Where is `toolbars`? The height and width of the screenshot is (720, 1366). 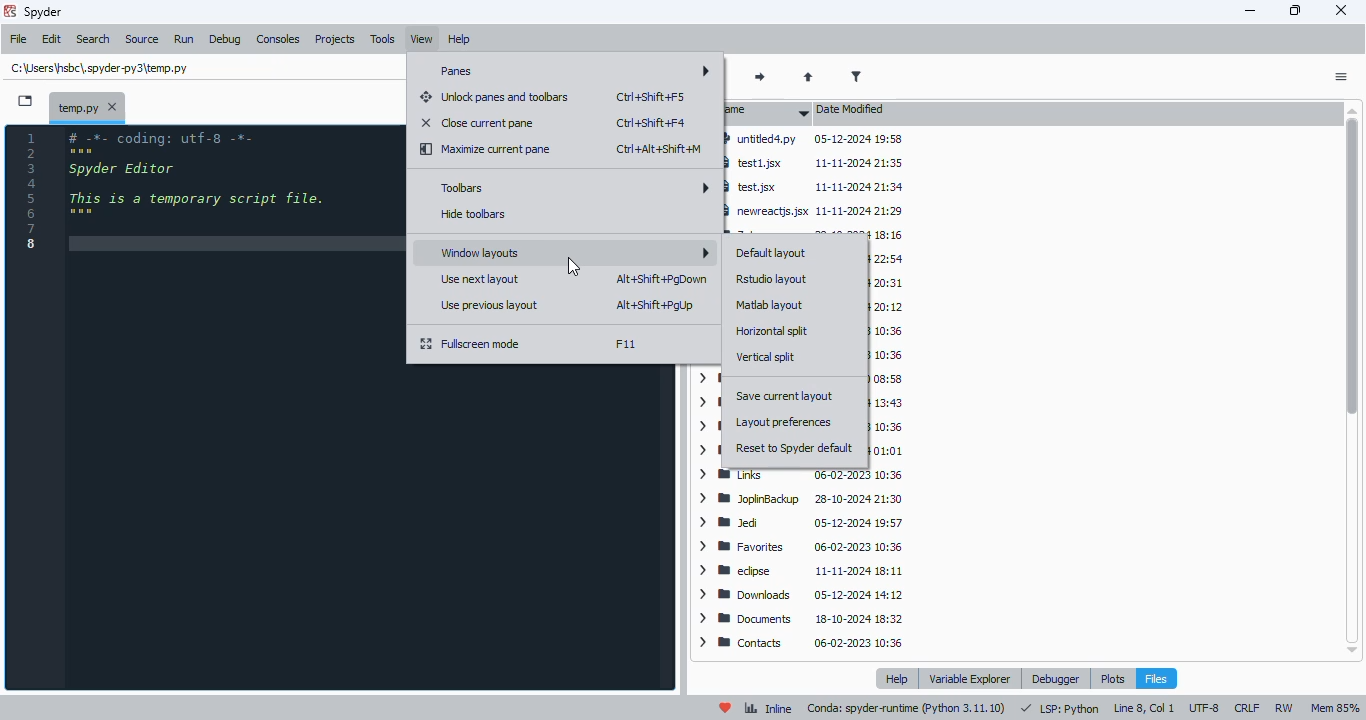 toolbars is located at coordinates (575, 188).